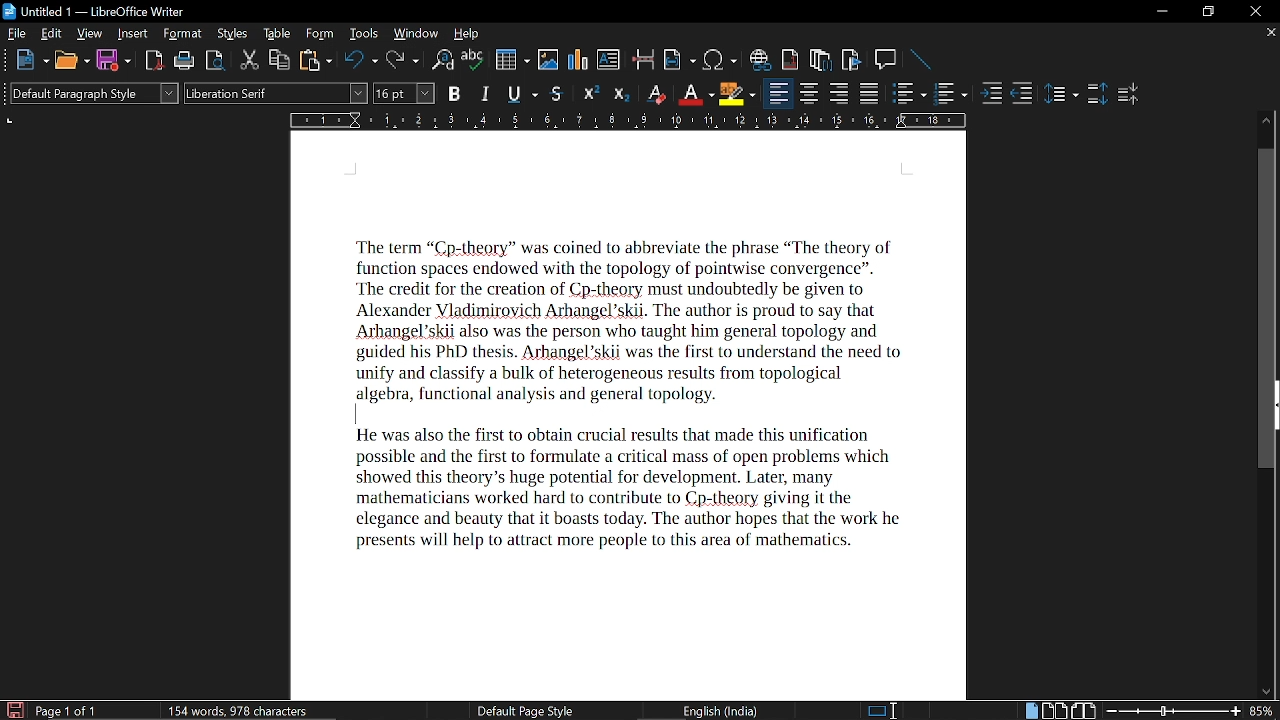  Describe the element at coordinates (133, 34) in the screenshot. I see `Insert` at that location.